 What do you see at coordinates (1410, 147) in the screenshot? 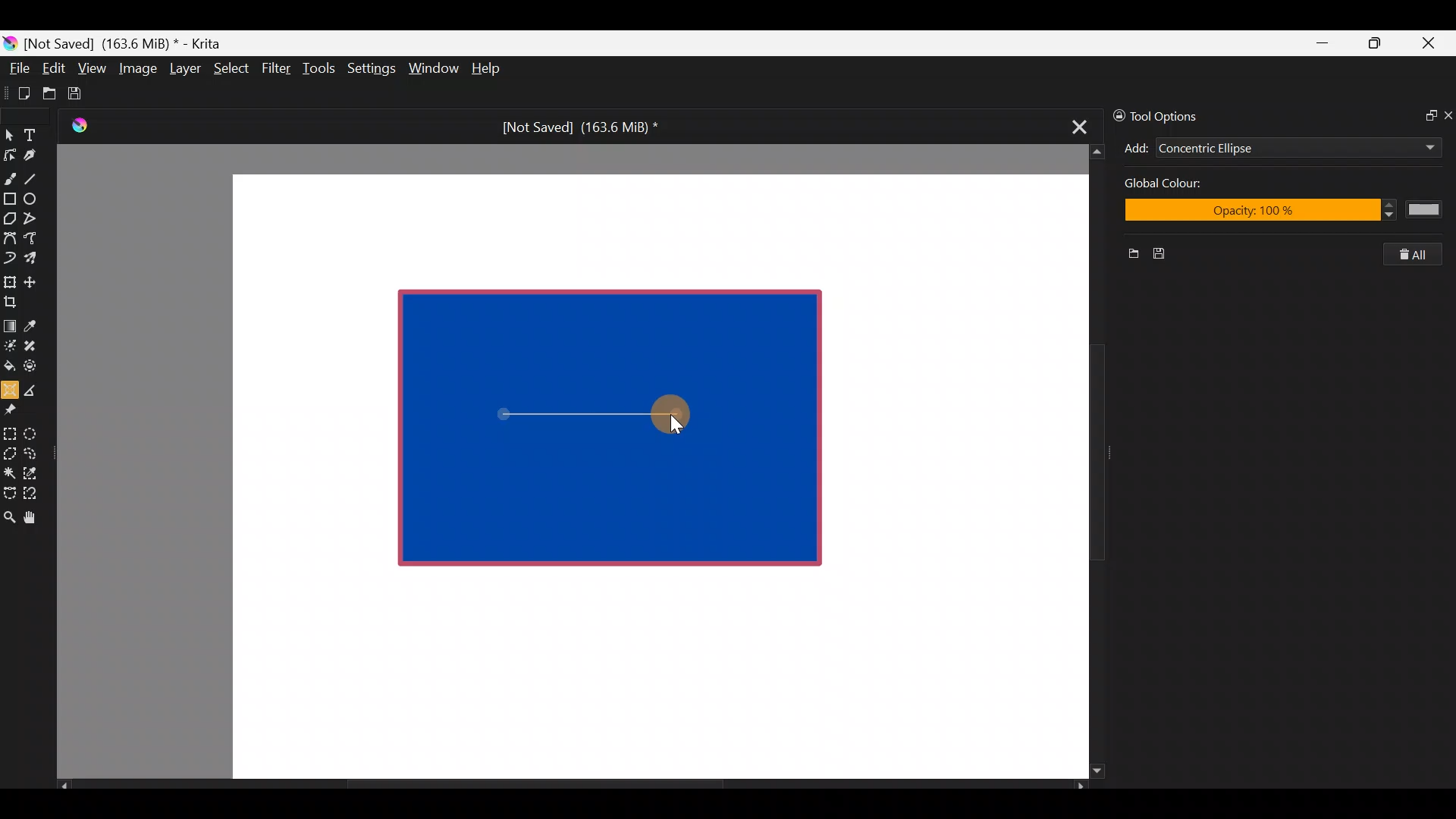
I see `Add dropdown` at bounding box center [1410, 147].